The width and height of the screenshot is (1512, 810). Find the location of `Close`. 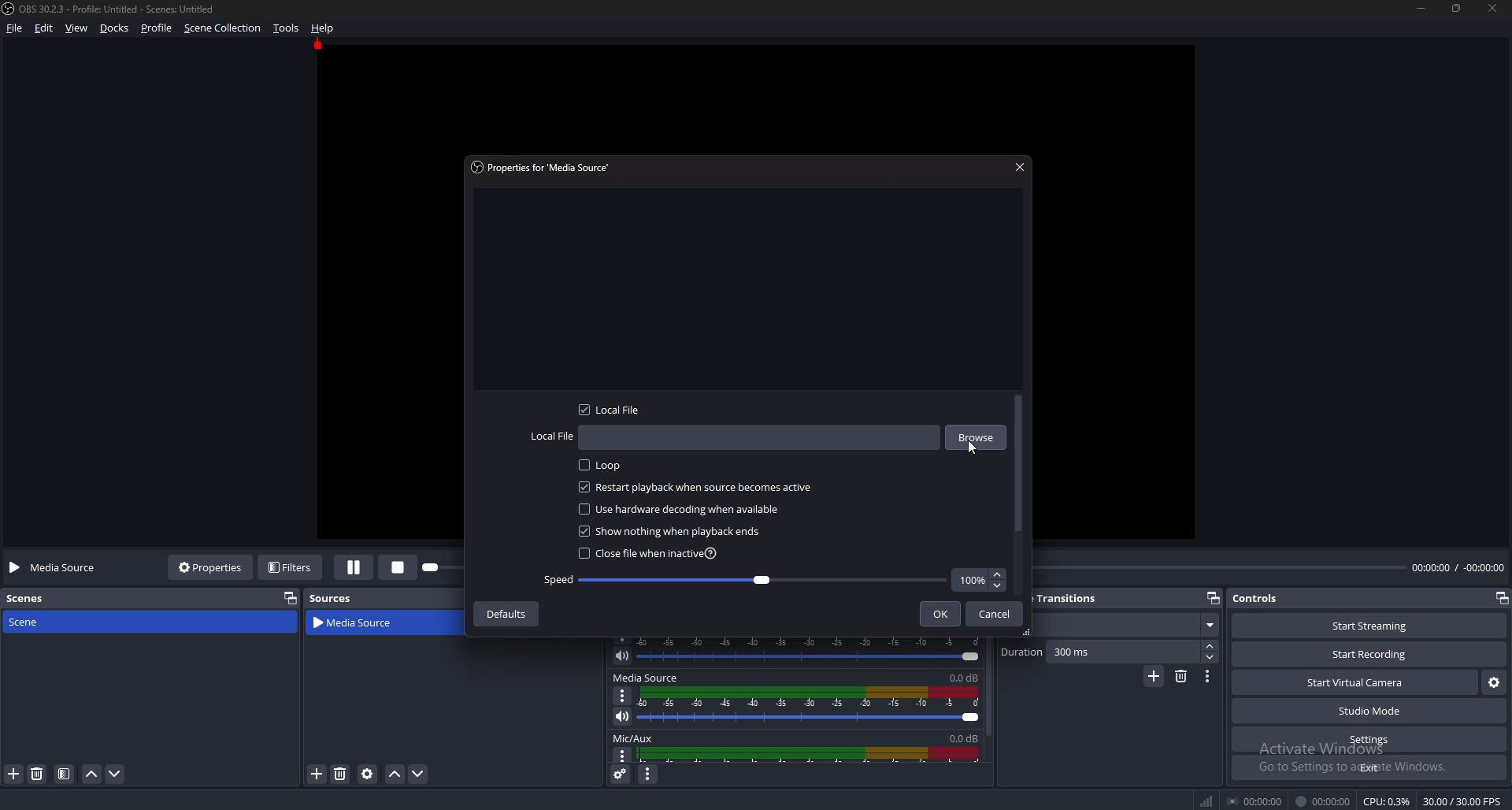

Close is located at coordinates (1018, 166).